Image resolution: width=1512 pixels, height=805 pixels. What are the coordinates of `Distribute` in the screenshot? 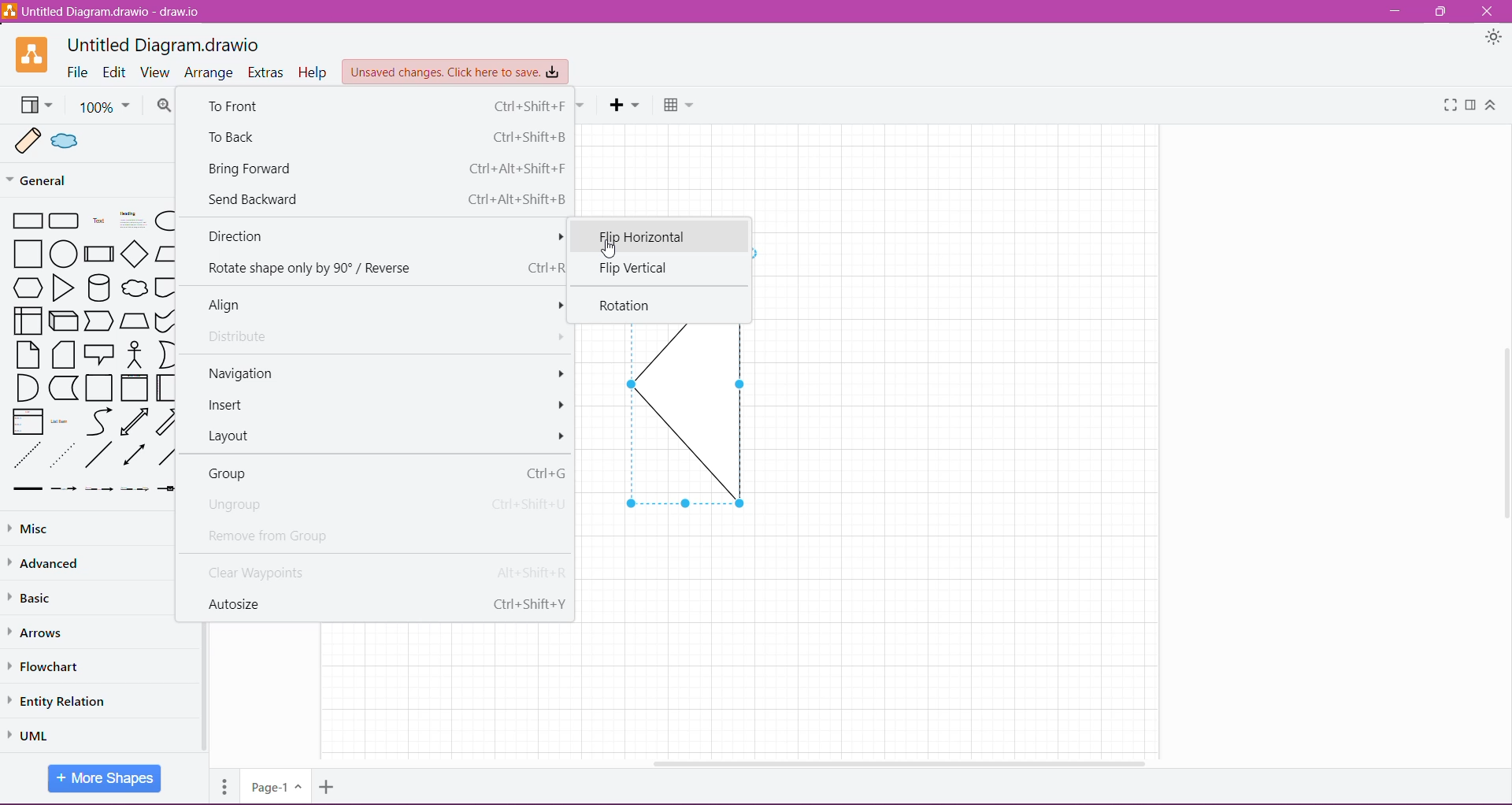 It's located at (378, 336).